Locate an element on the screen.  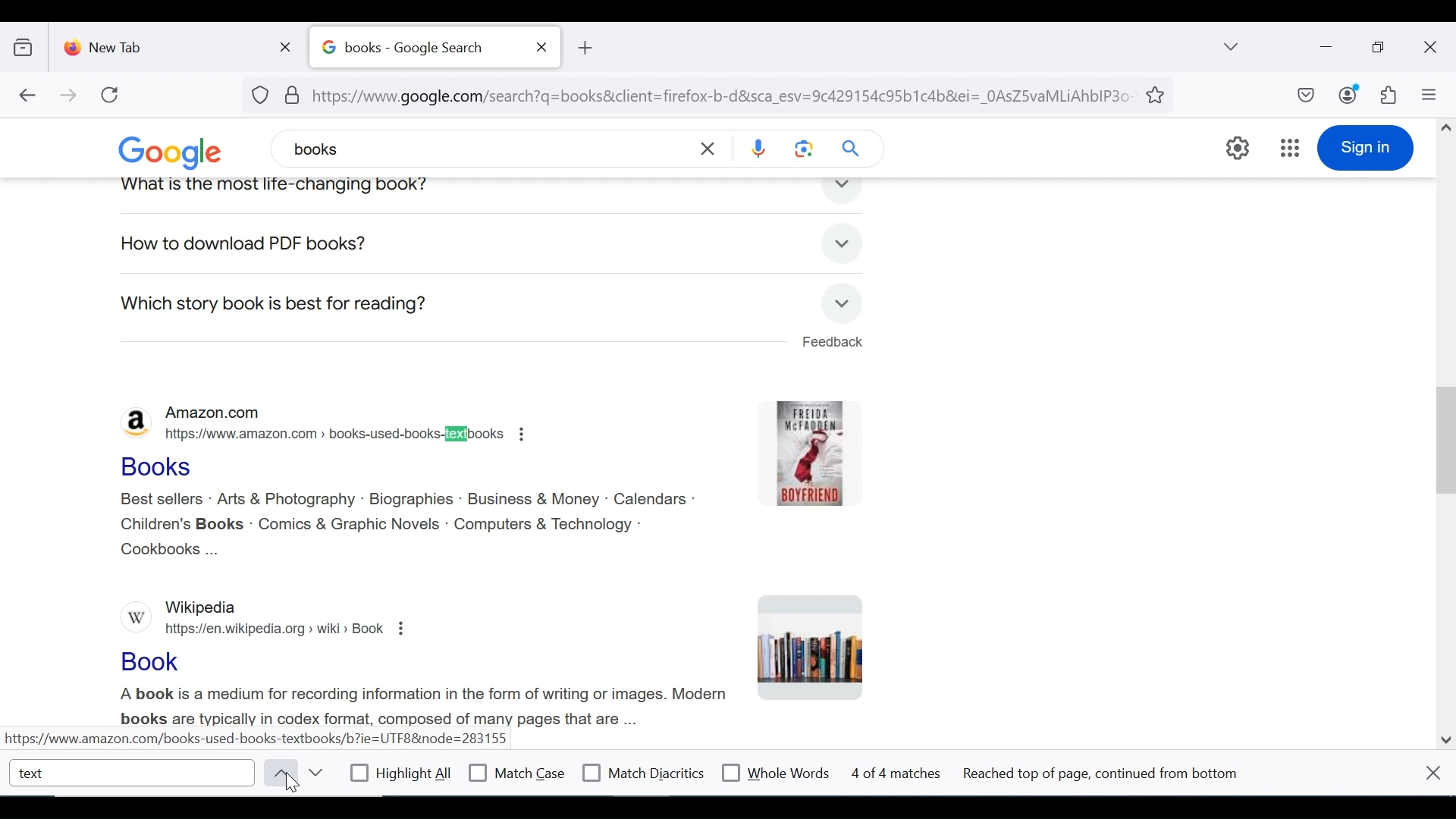
account is located at coordinates (1349, 94).